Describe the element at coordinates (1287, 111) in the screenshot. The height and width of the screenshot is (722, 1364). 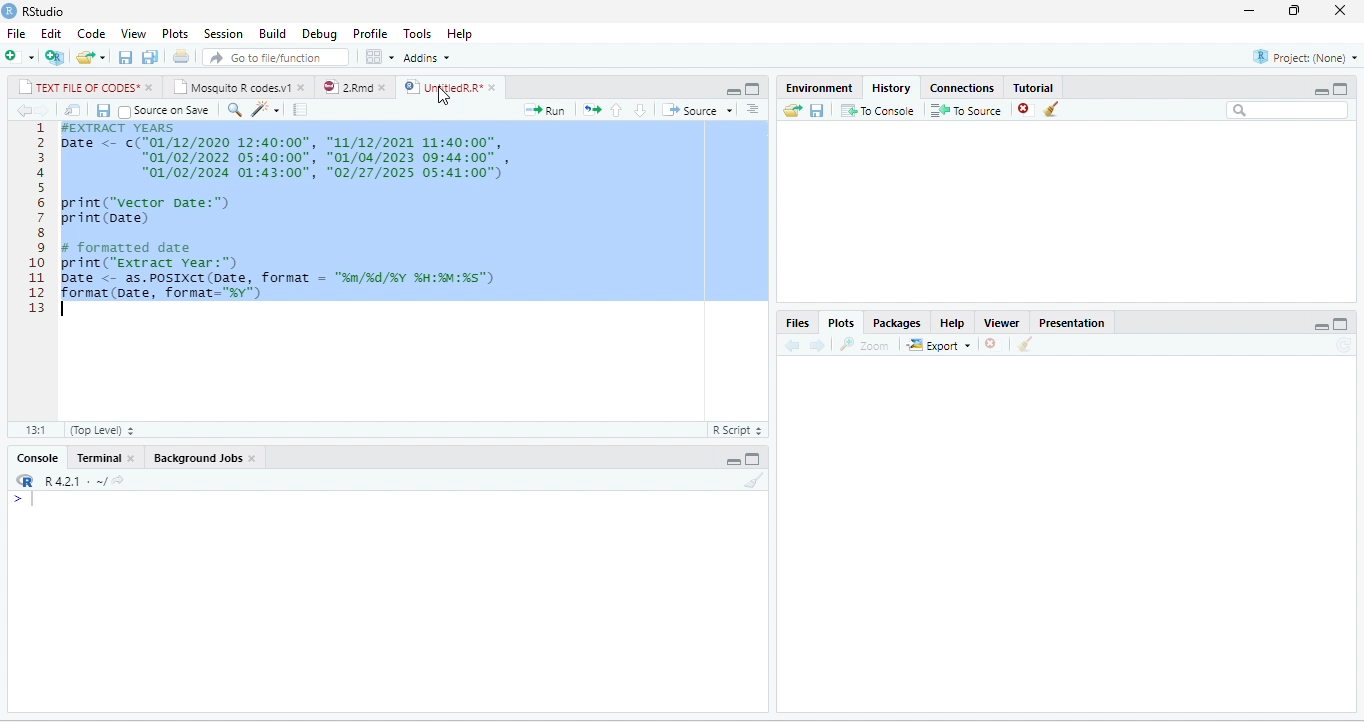
I see `search bar` at that location.